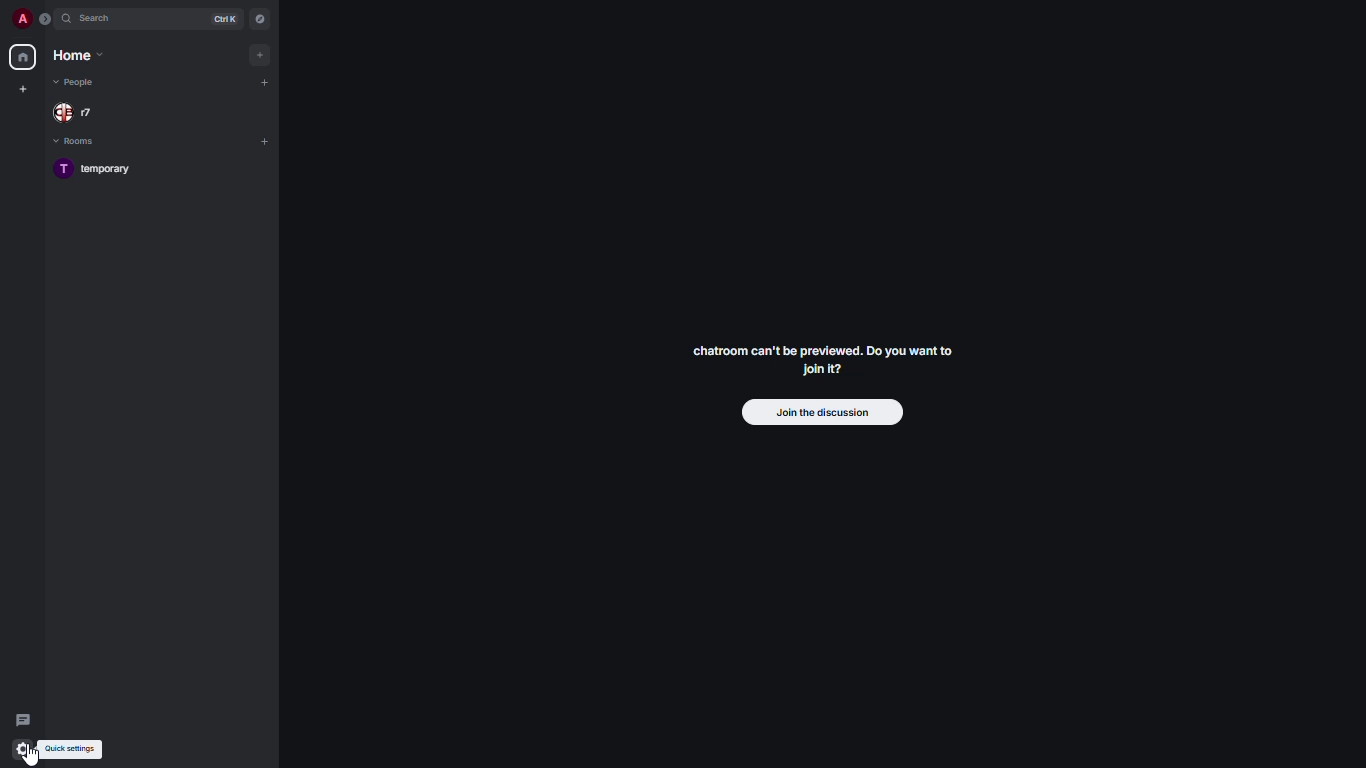 The image size is (1366, 768). What do you see at coordinates (78, 54) in the screenshot?
I see `home` at bounding box center [78, 54].